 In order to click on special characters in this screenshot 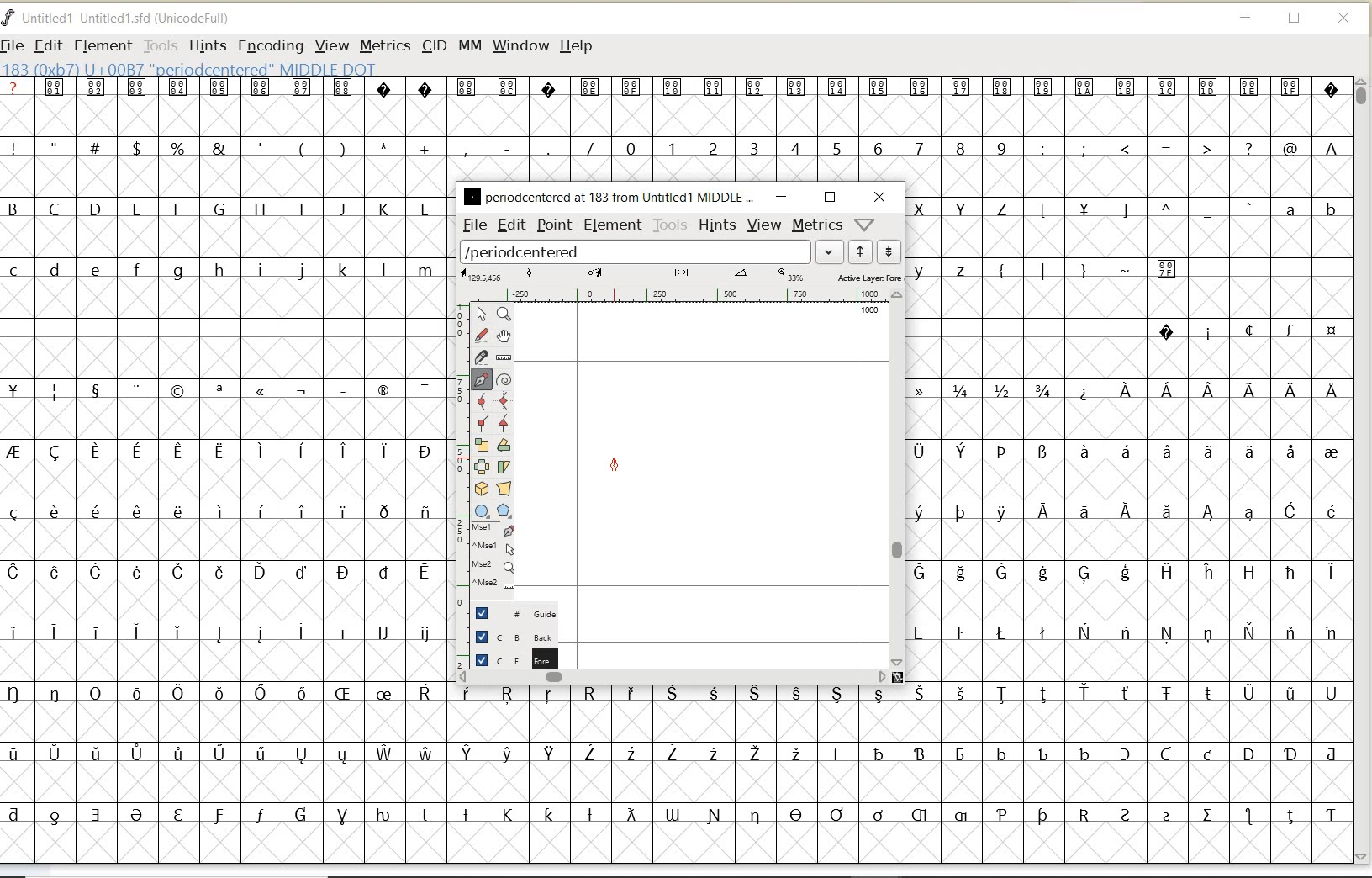, I will do `click(219, 601)`.